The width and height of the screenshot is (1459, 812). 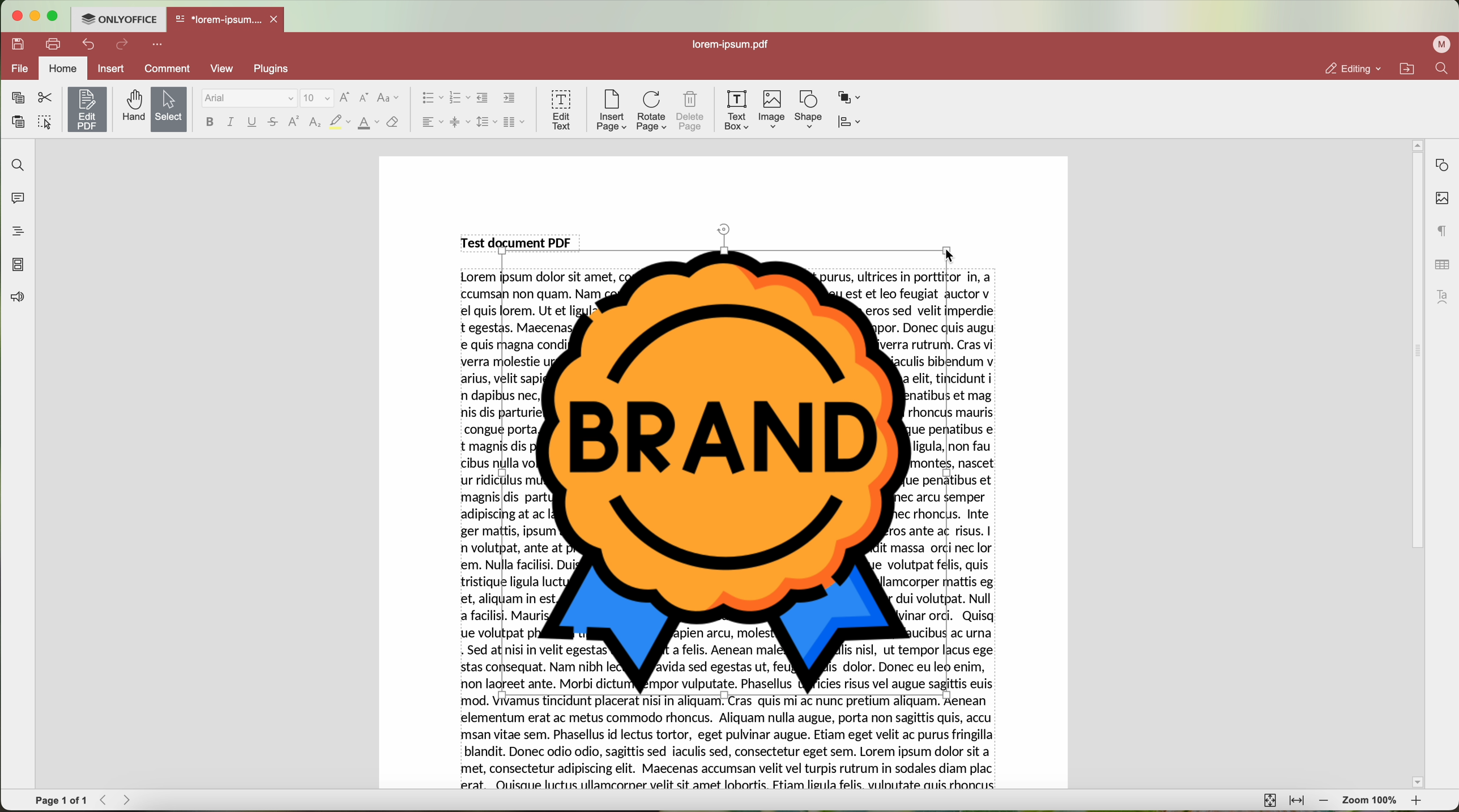 What do you see at coordinates (1324, 801) in the screenshot?
I see `zoom out` at bounding box center [1324, 801].